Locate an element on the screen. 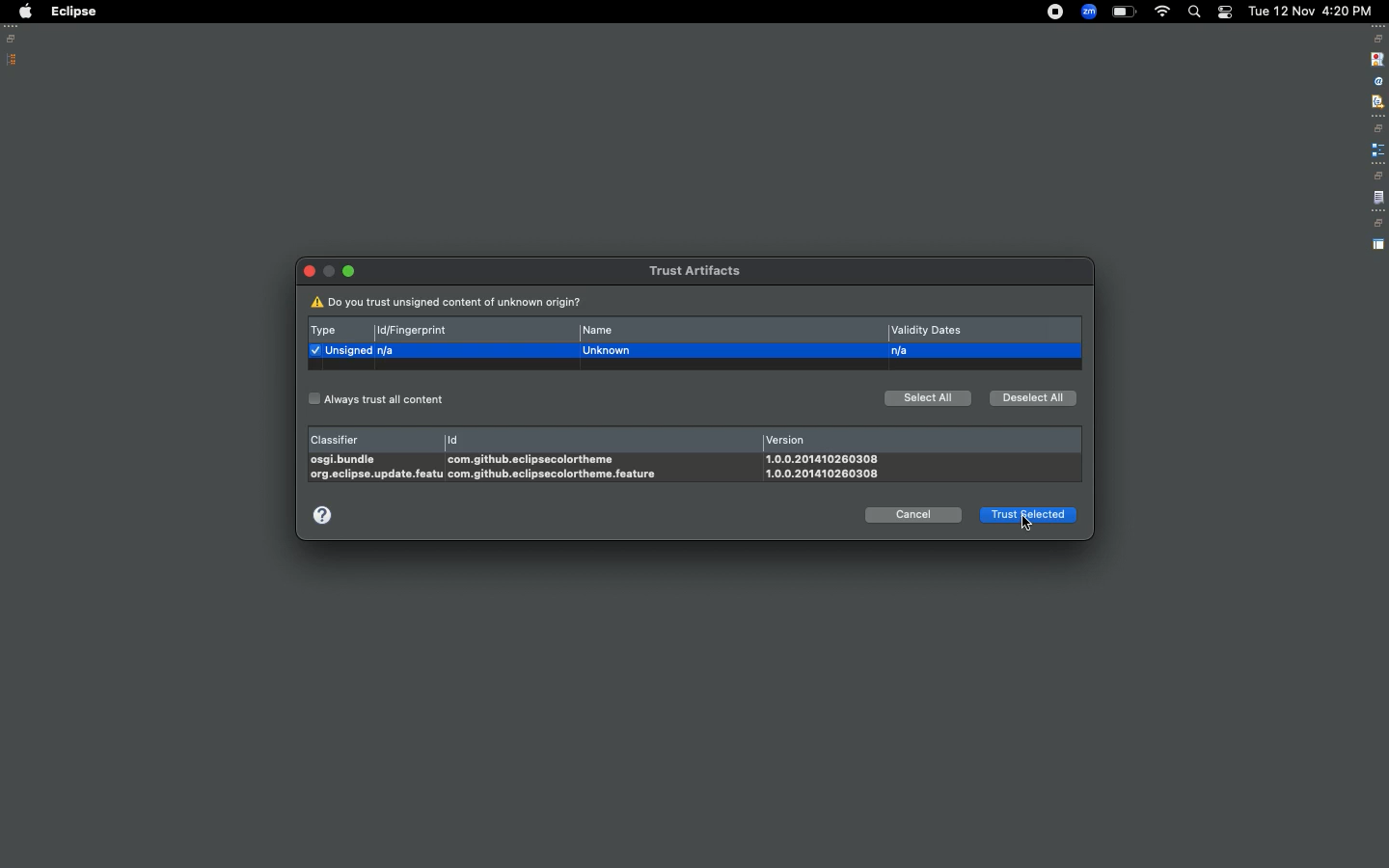  Apple logo is located at coordinates (24, 12).